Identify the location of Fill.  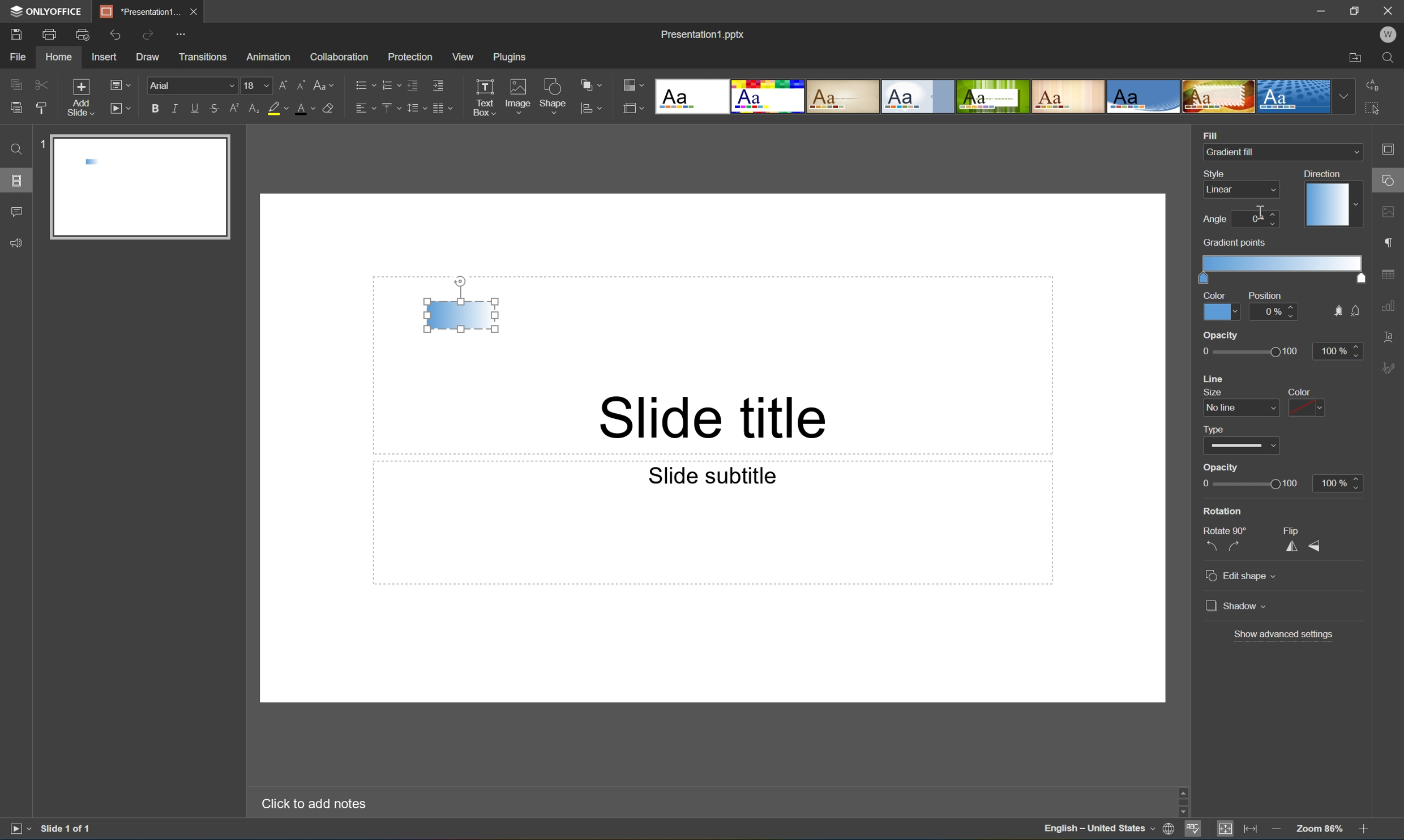
(1210, 134).